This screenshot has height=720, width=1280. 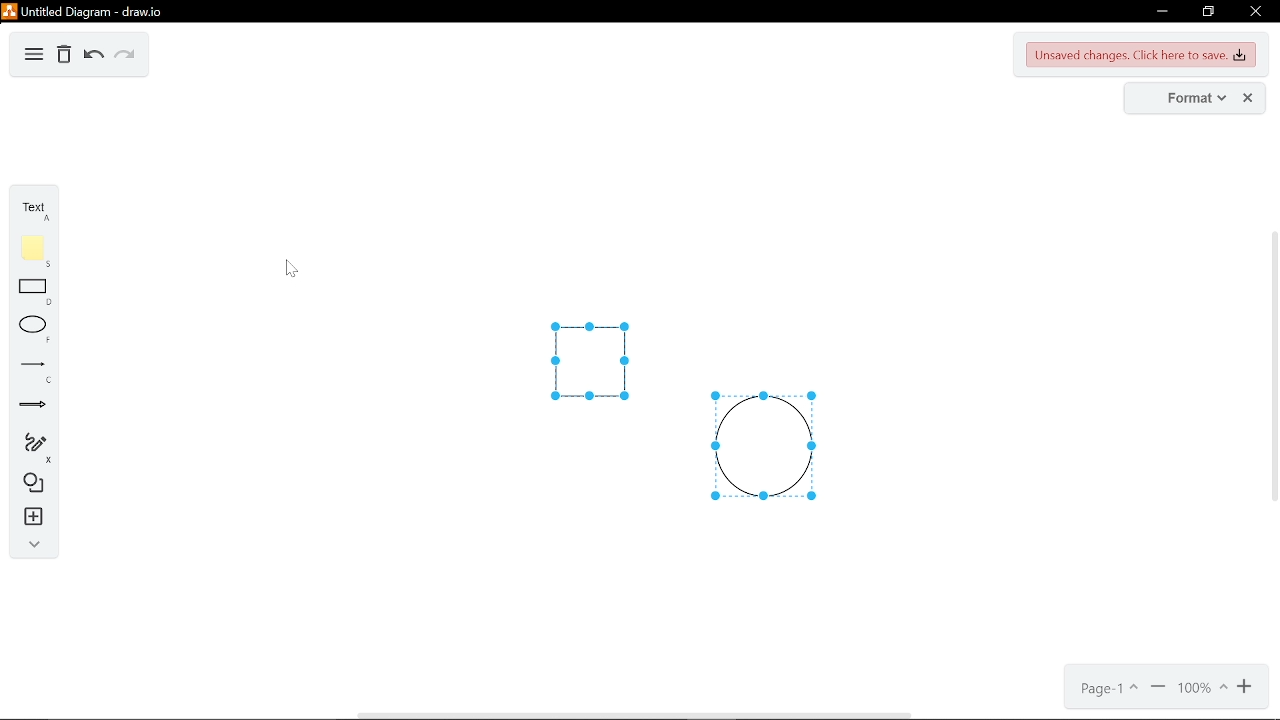 What do you see at coordinates (1247, 98) in the screenshot?
I see `close format` at bounding box center [1247, 98].